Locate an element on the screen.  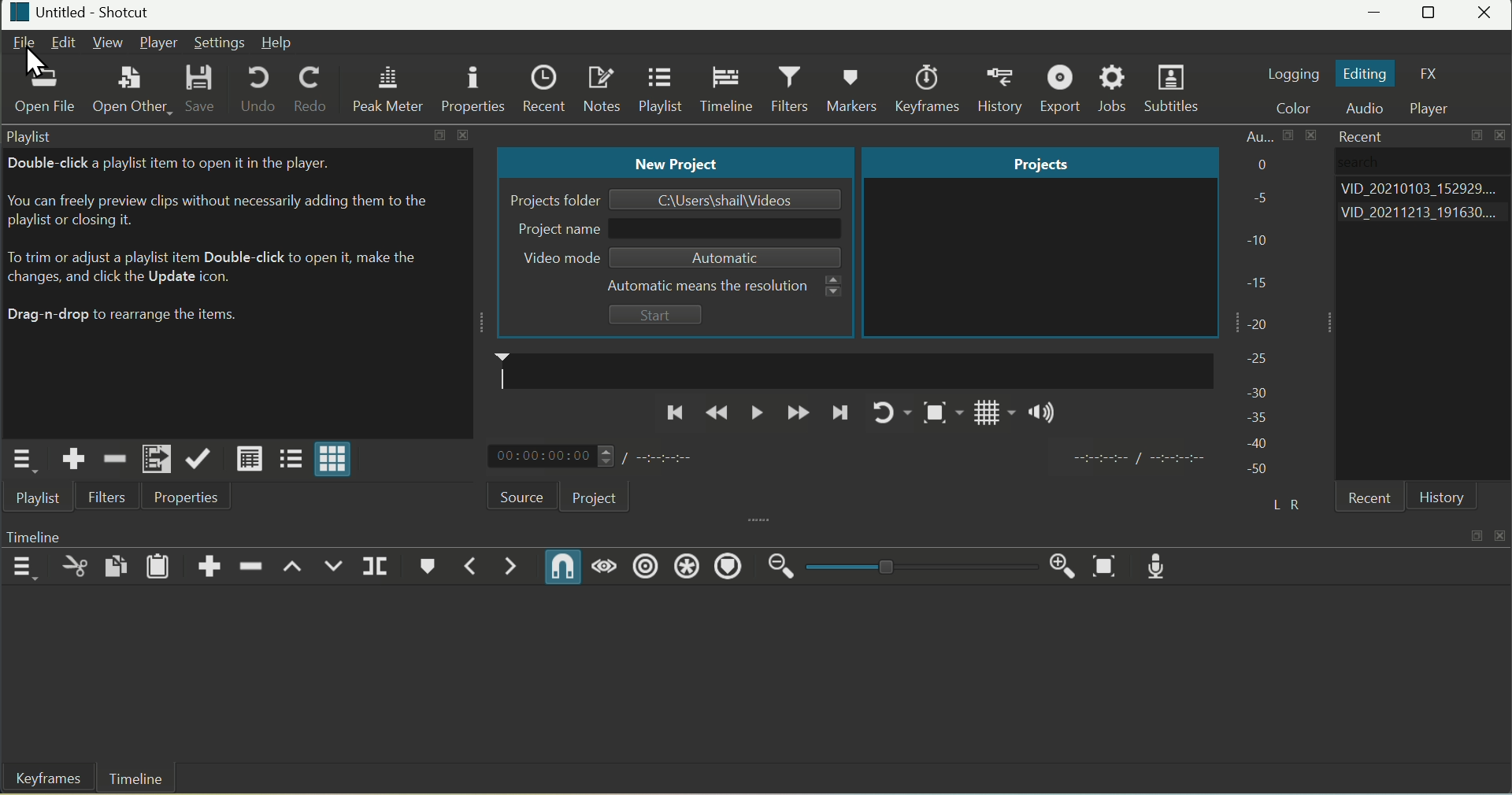
History is located at coordinates (1442, 497).